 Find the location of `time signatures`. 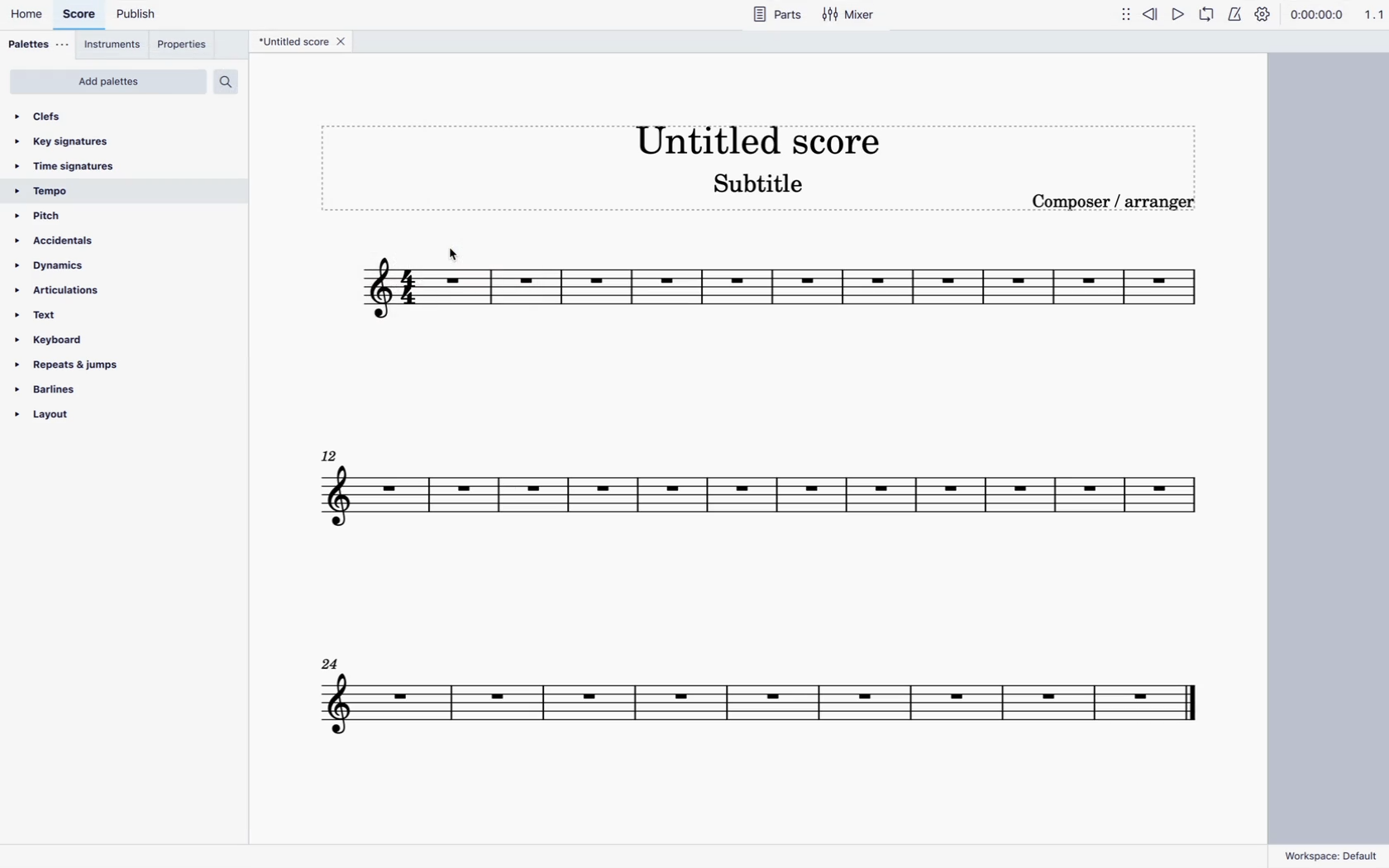

time signatures is located at coordinates (75, 168).